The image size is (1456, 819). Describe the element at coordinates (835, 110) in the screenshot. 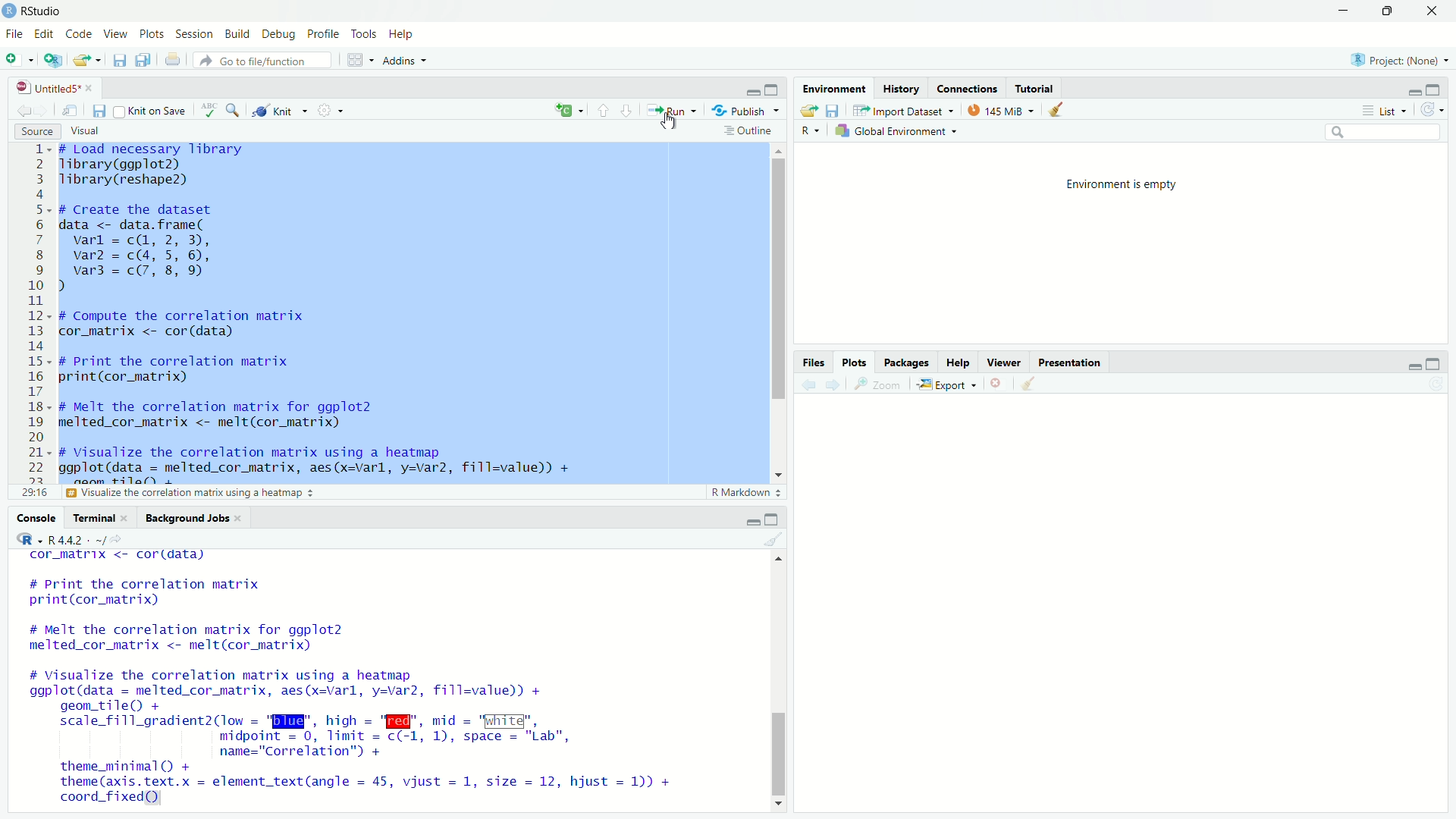

I see `save workspace as` at that location.